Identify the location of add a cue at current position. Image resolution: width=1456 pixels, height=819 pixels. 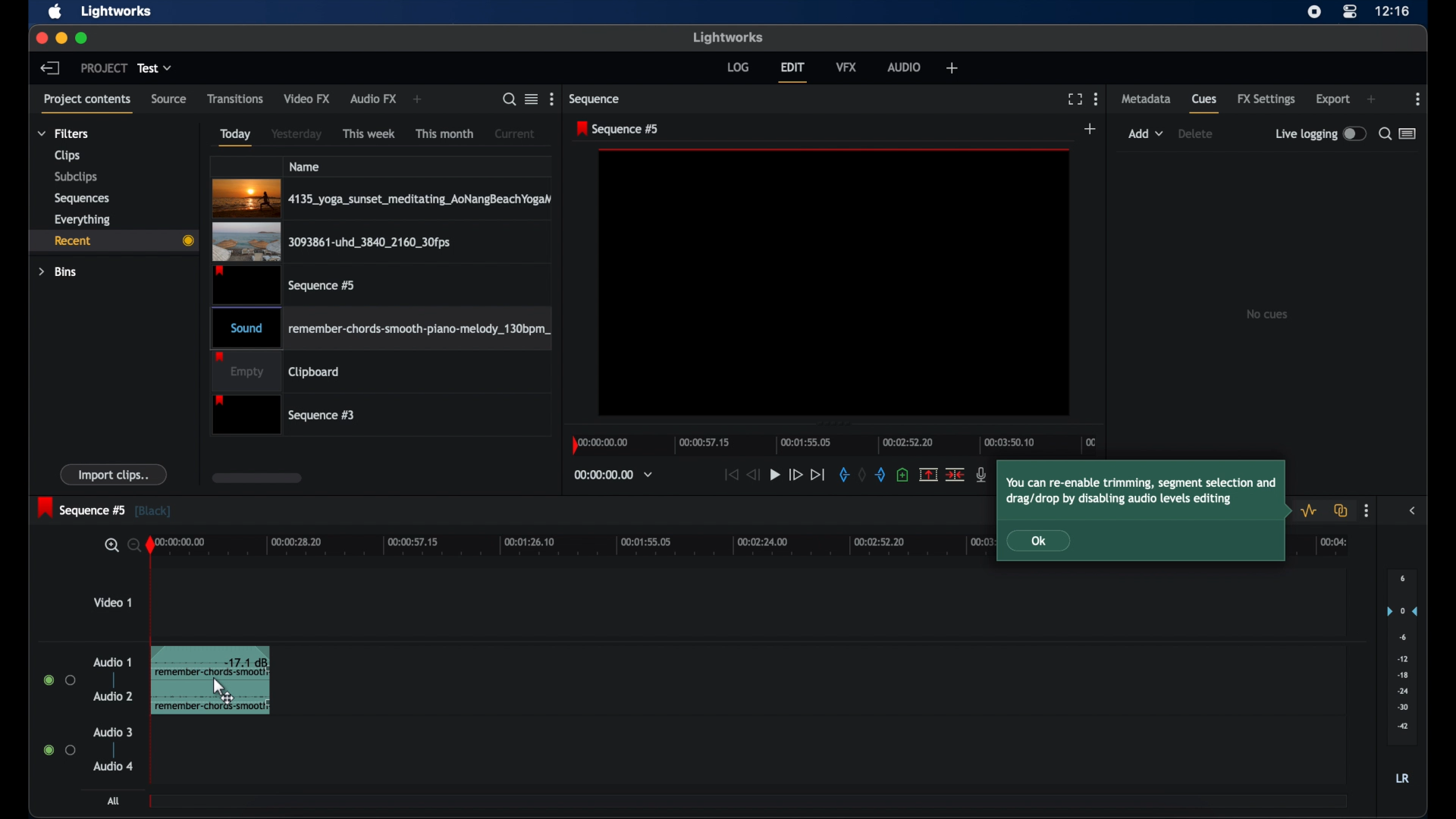
(902, 475).